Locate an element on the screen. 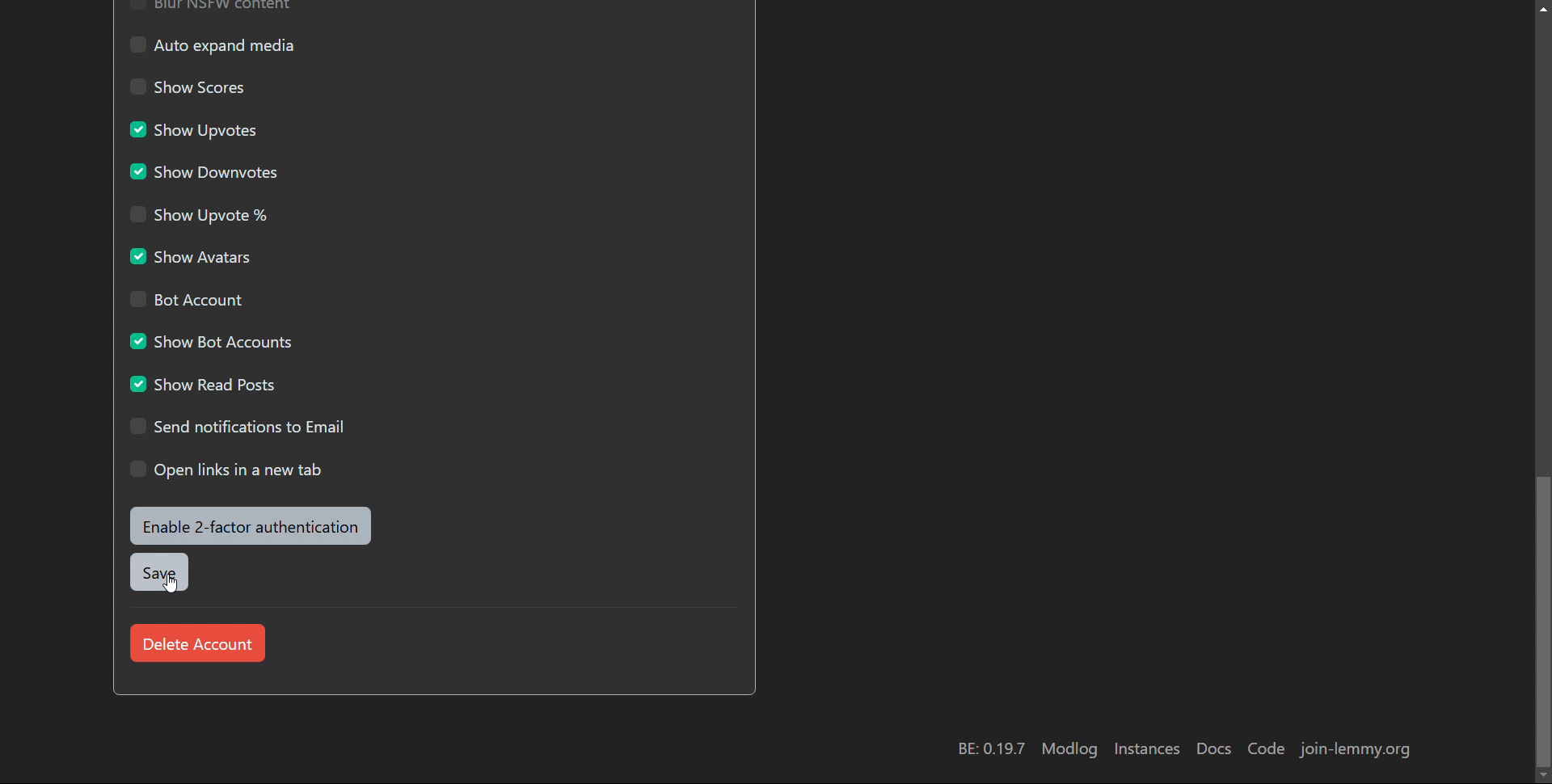 This screenshot has width=1552, height=784. bot account is located at coordinates (188, 300).